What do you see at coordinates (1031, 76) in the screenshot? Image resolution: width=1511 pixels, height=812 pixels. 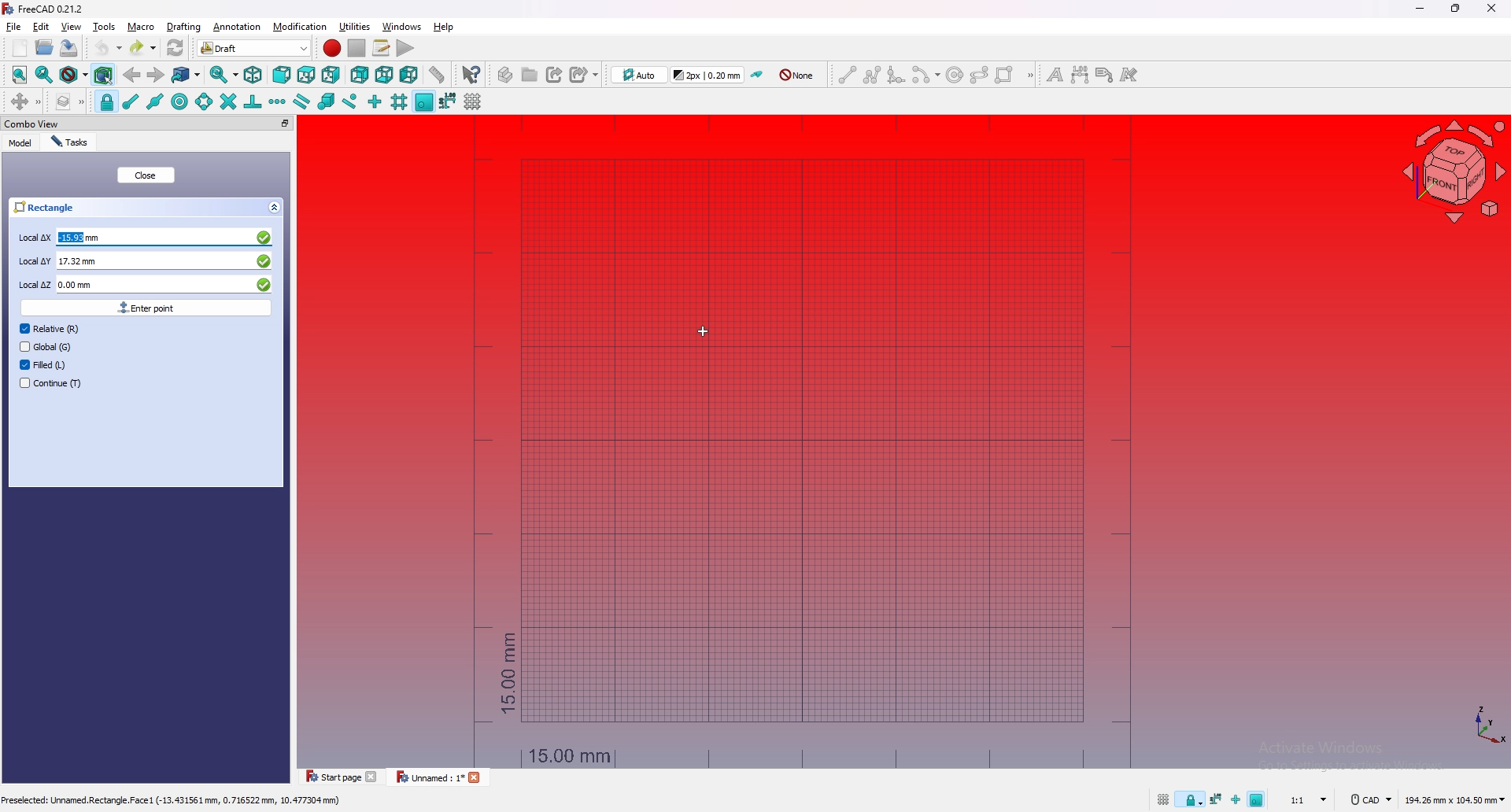 I see `draft creations tools` at bounding box center [1031, 76].